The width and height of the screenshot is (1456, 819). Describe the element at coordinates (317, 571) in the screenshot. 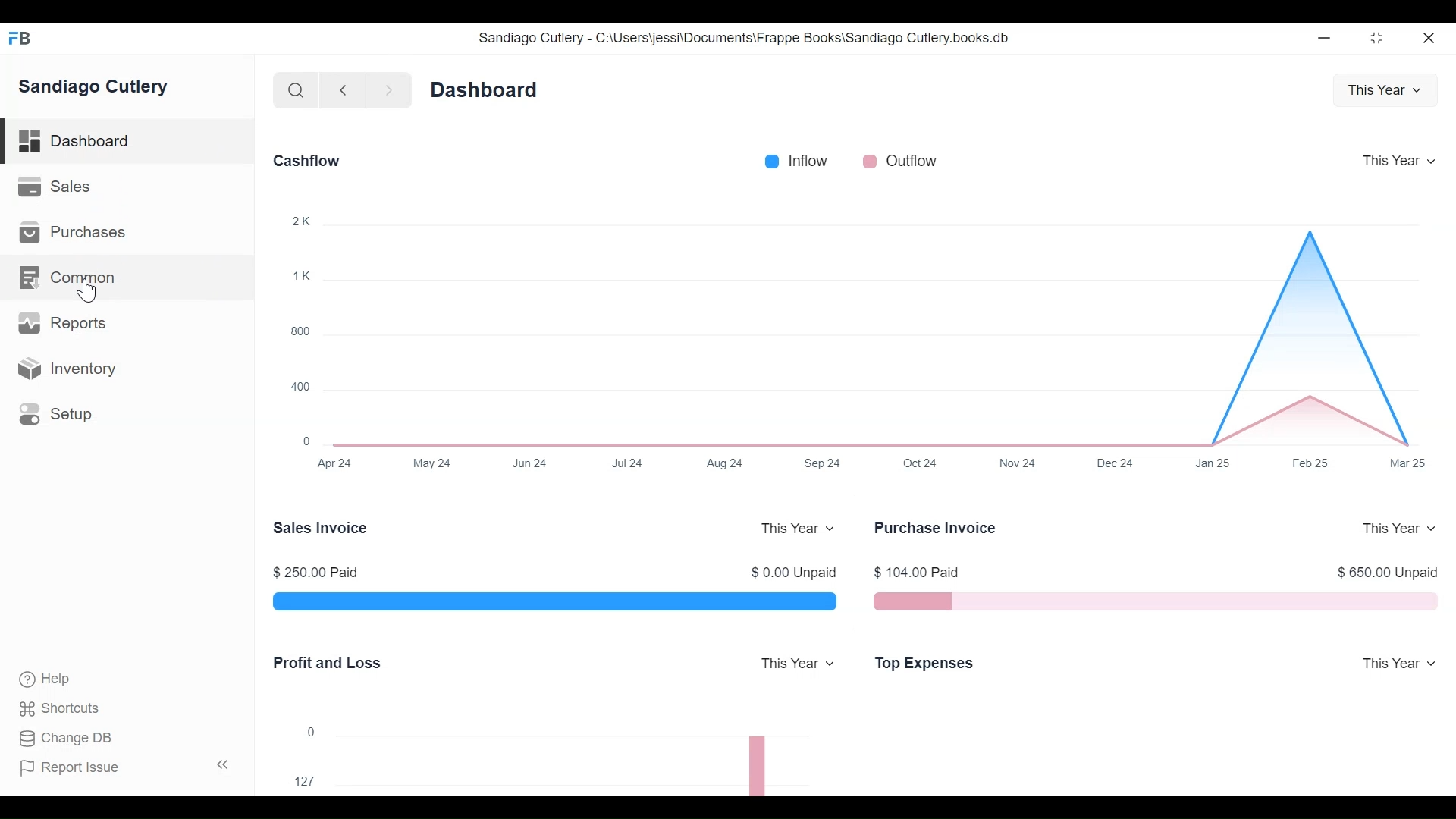

I see `$ 250.00 Paid` at that location.